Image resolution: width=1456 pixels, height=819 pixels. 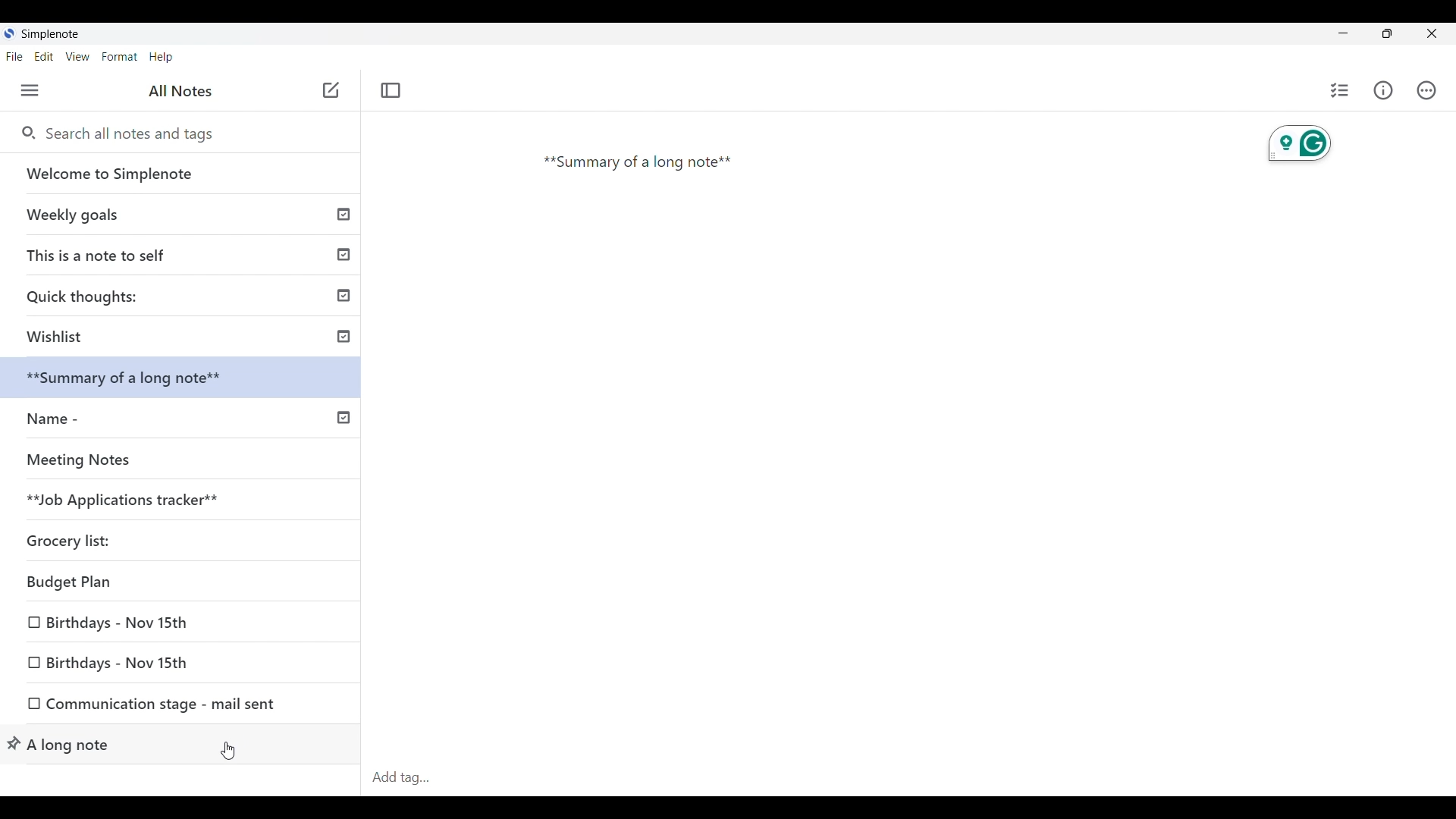 What do you see at coordinates (1383, 90) in the screenshot?
I see `Info` at bounding box center [1383, 90].